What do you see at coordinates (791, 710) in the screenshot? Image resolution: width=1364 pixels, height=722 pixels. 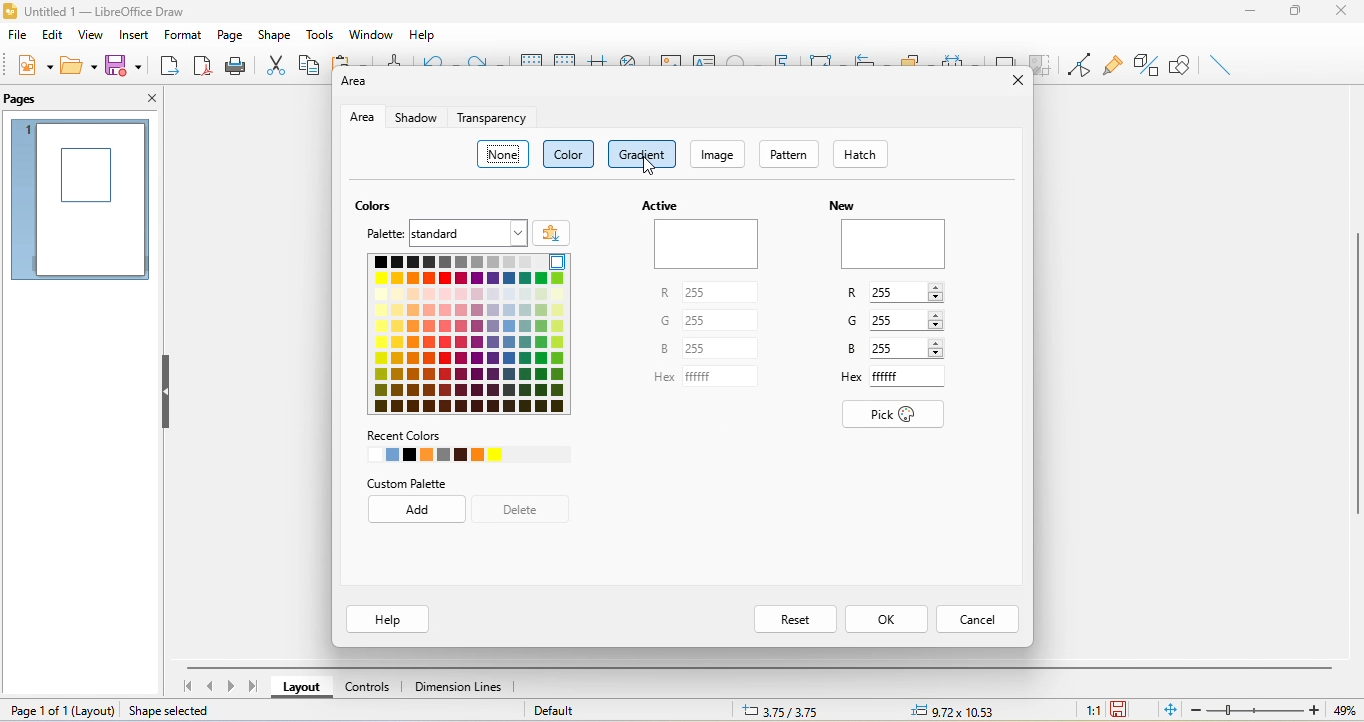 I see `6.13/8.02` at bounding box center [791, 710].